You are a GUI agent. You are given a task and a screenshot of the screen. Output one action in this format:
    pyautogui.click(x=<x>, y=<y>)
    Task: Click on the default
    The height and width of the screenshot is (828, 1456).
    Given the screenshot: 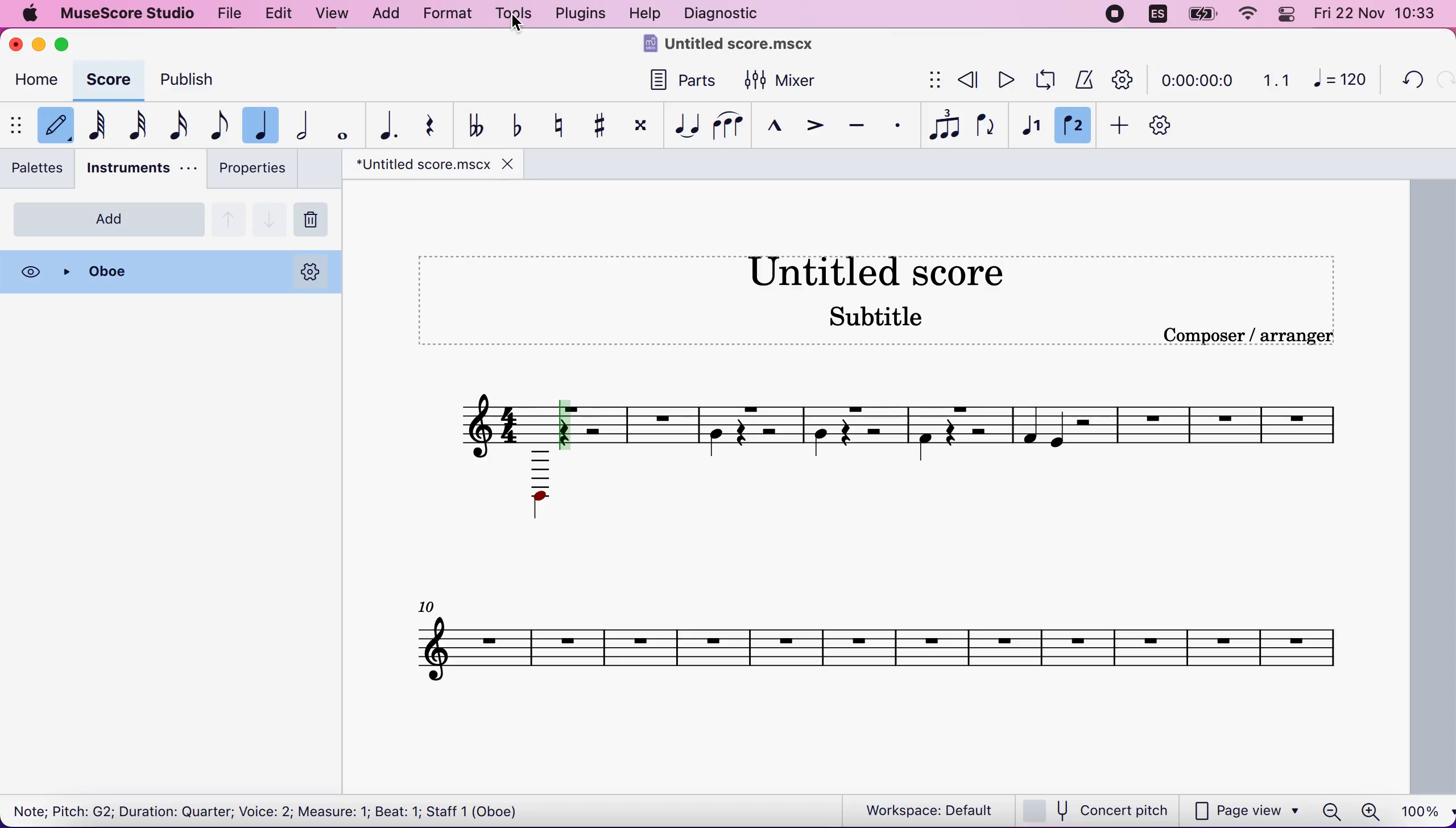 What is the action you would take?
    pyautogui.click(x=56, y=123)
    